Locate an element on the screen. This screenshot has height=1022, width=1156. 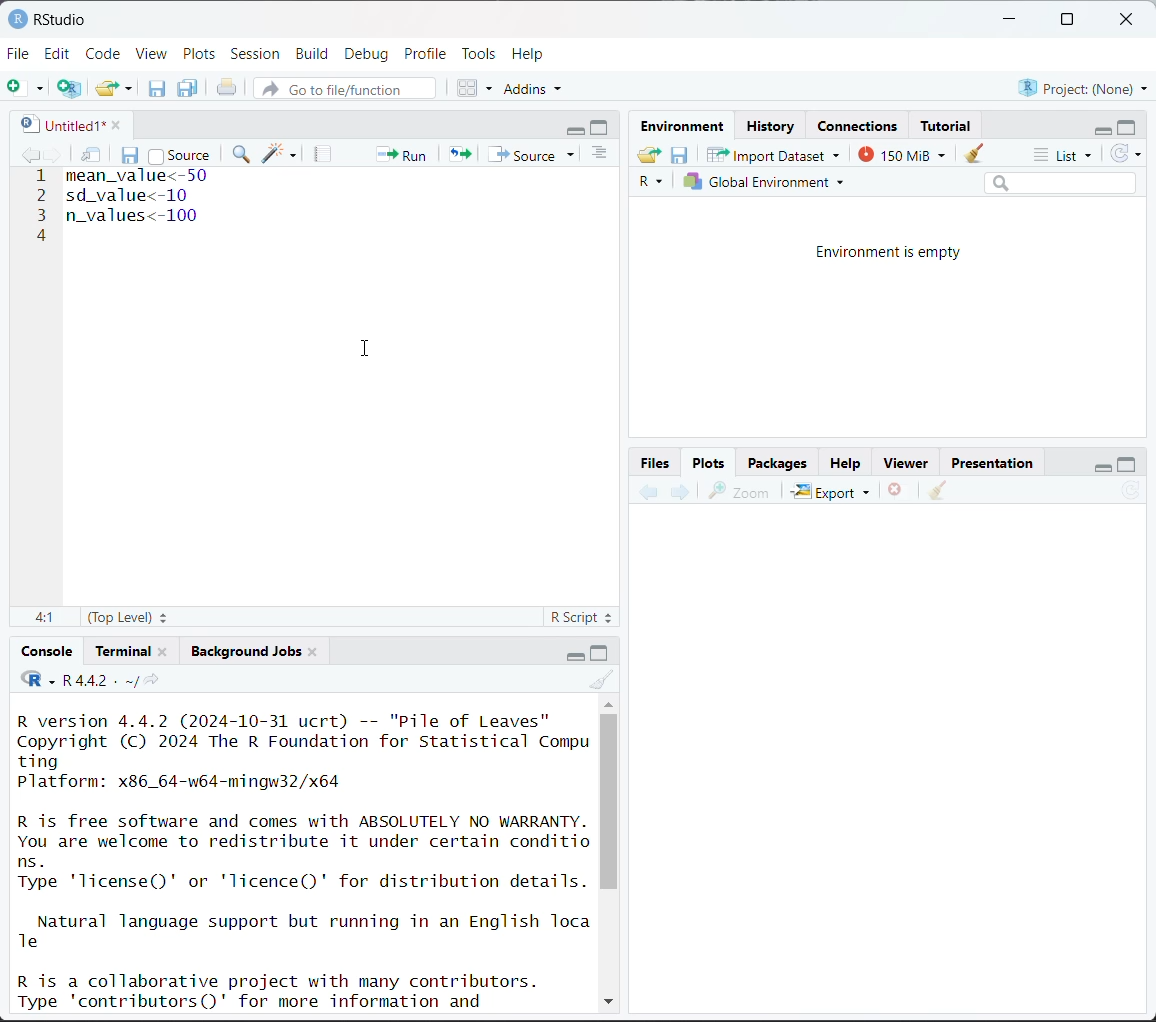
minimize is located at coordinates (1099, 464).